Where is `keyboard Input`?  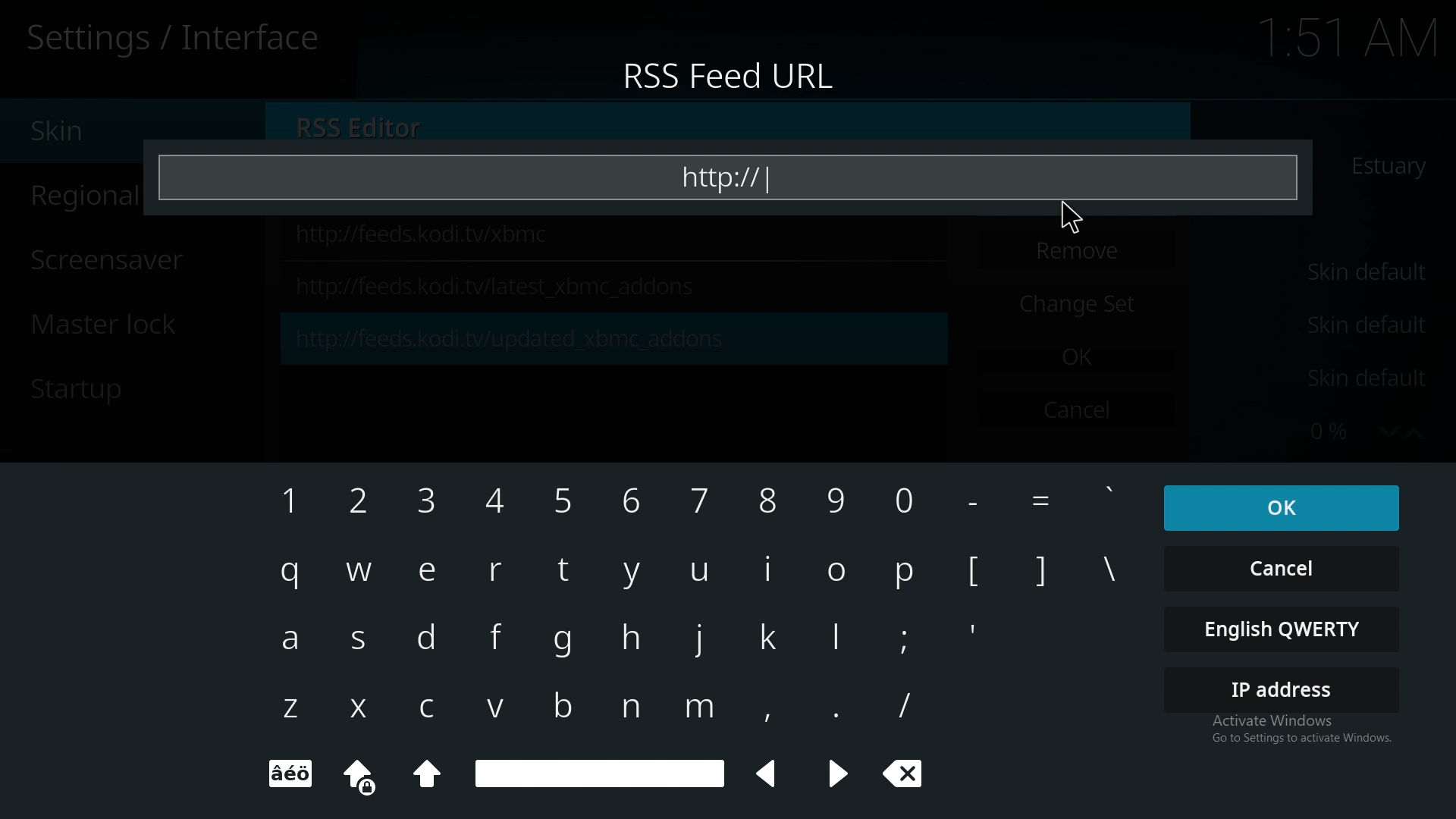
keyboard Input is located at coordinates (904, 639).